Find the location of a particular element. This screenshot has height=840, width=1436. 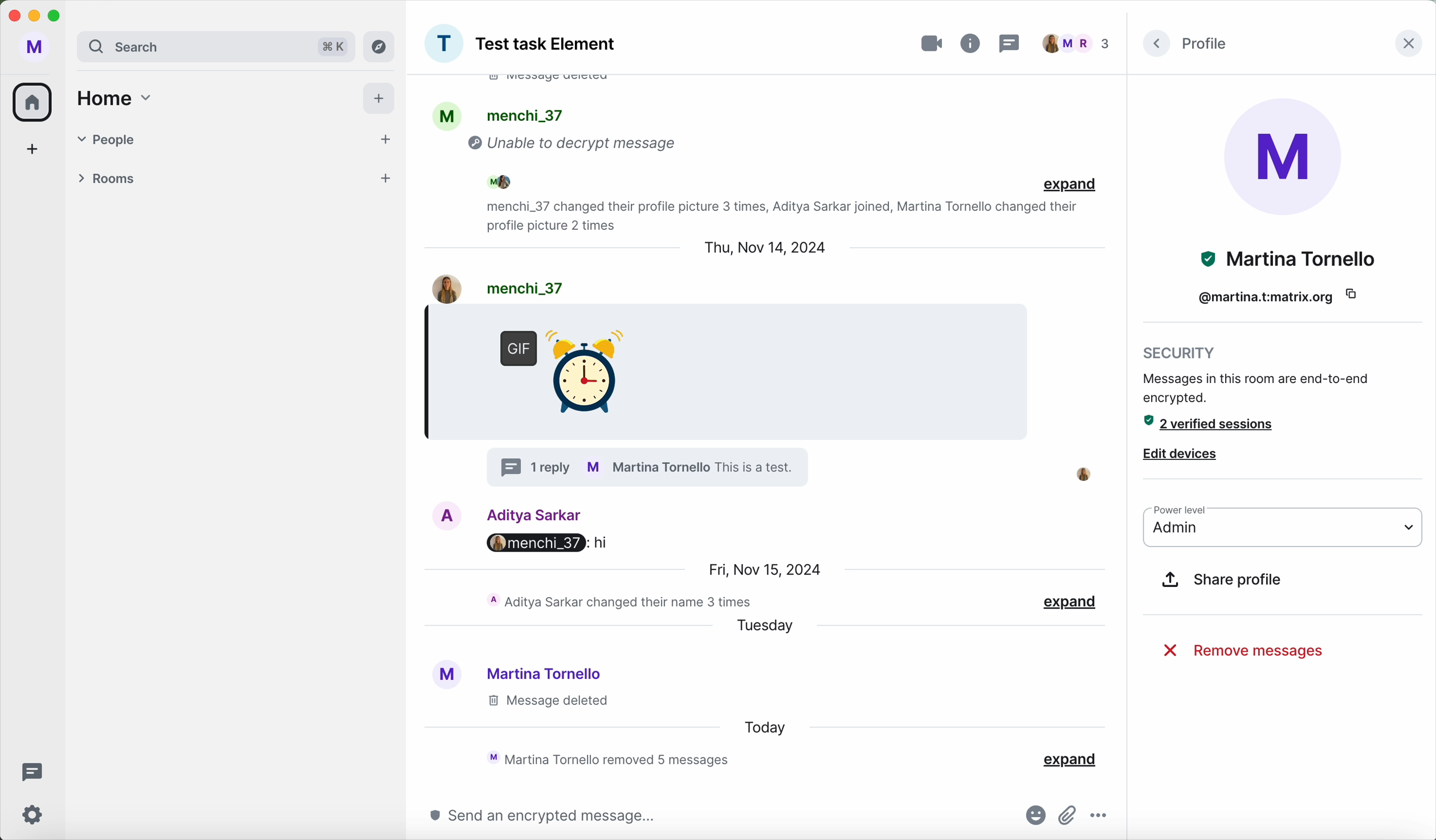

close program is located at coordinates (13, 15).